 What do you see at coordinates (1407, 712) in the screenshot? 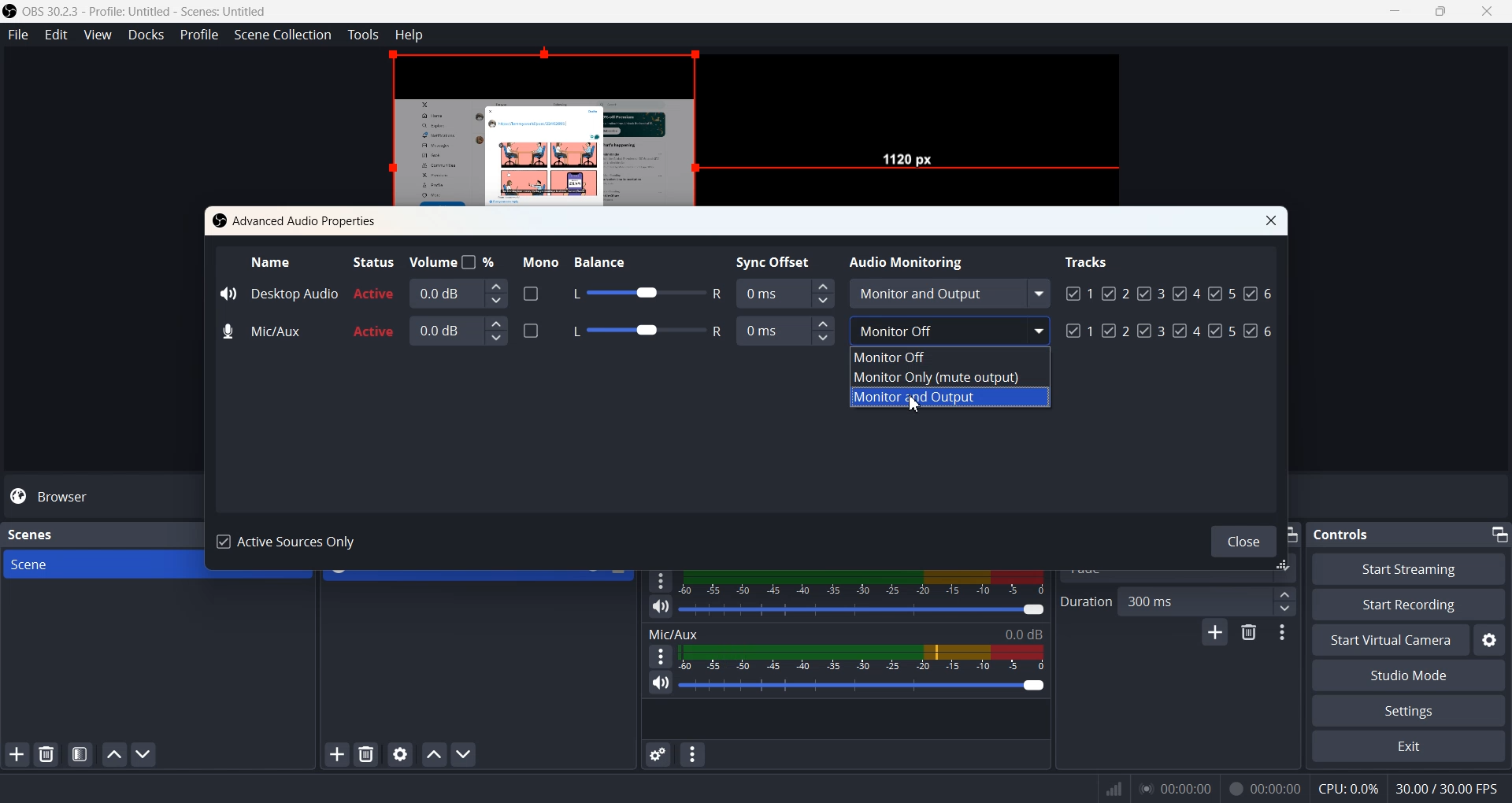
I see `Settings` at bounding box center [1407, 712].